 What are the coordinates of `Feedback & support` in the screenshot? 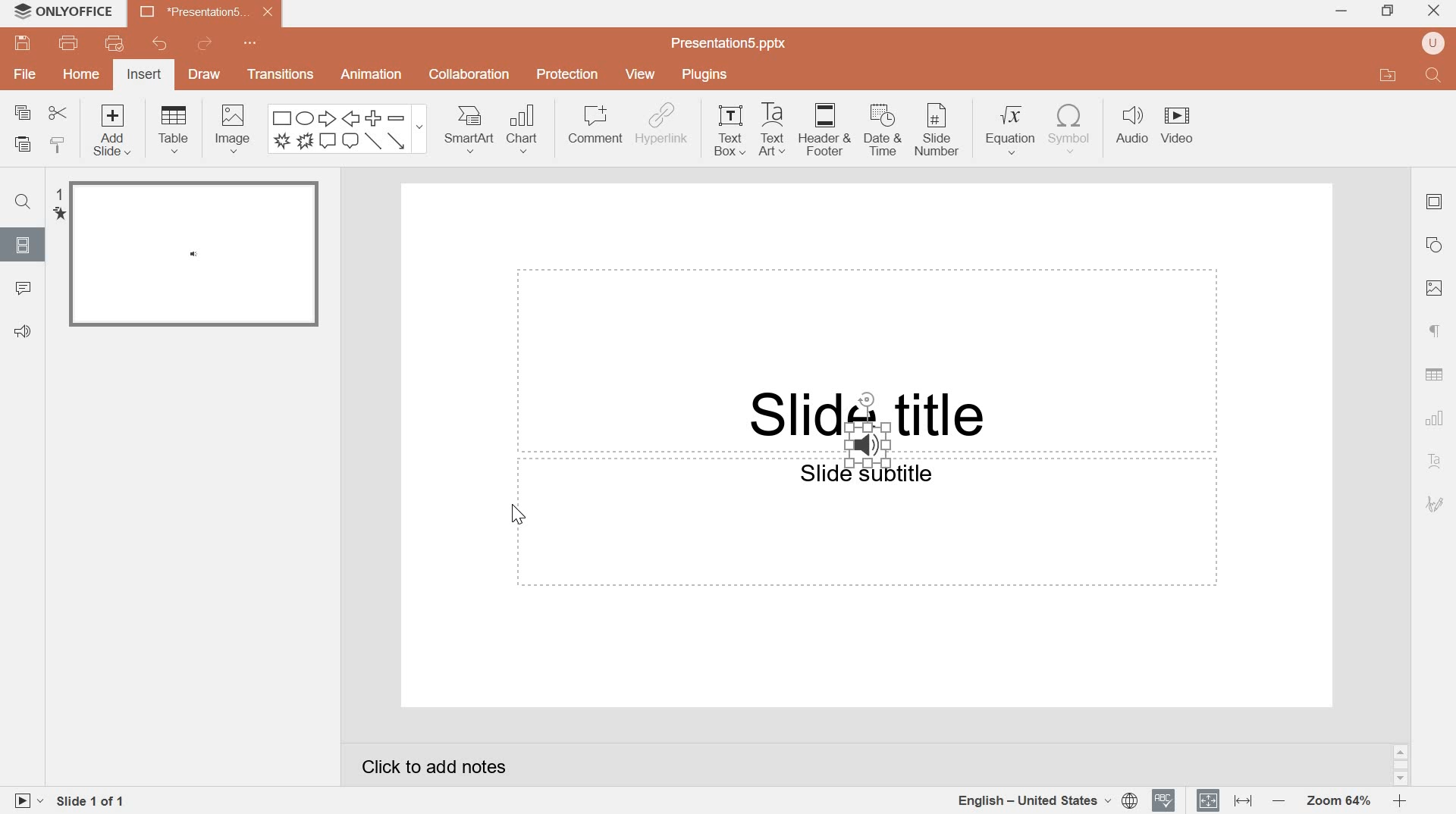 It's located at (24, 333).